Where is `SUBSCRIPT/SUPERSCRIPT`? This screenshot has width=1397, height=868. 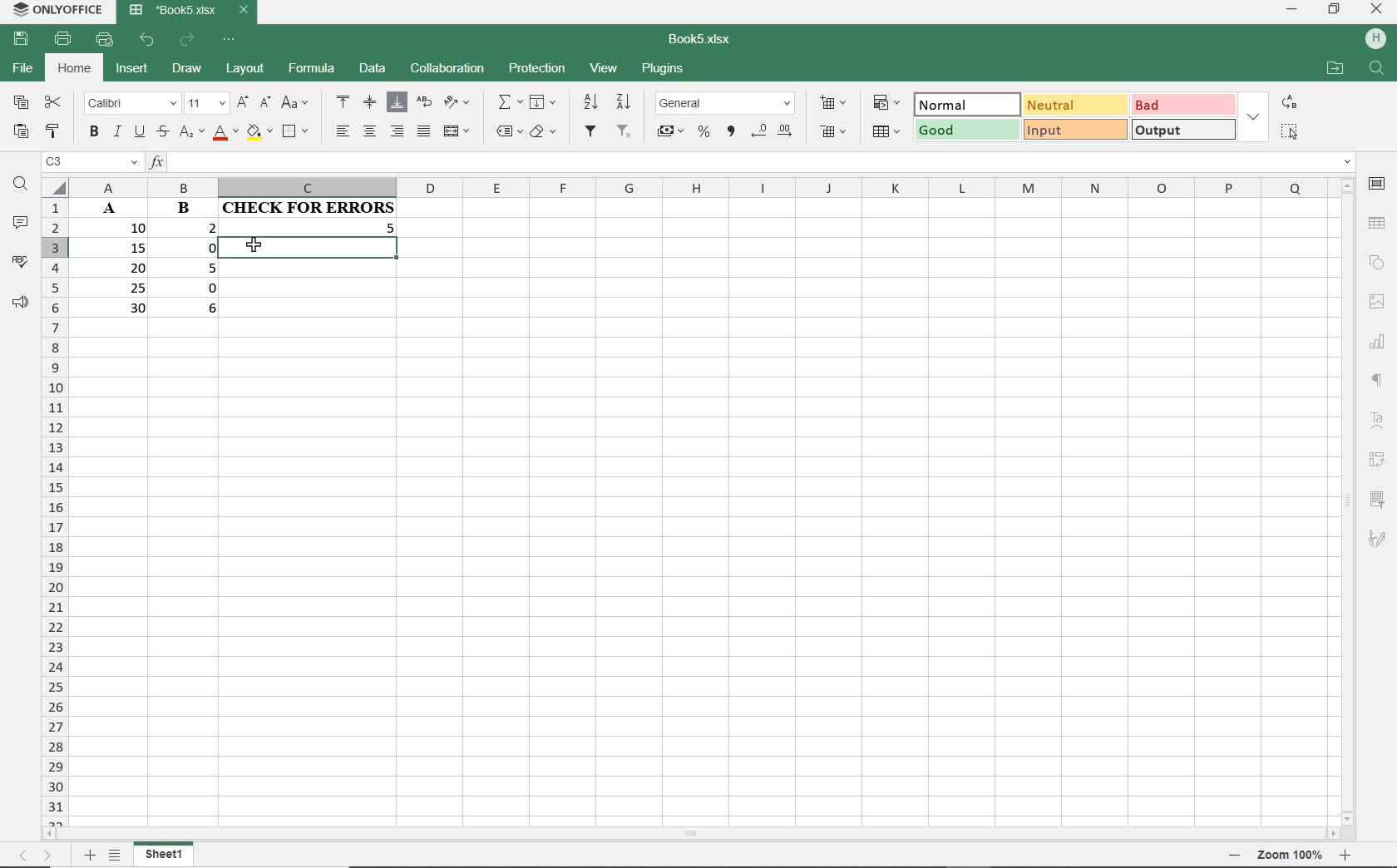
SUBSCRIPT/SUPERSCRIPT is located at coordinates (189, 135).